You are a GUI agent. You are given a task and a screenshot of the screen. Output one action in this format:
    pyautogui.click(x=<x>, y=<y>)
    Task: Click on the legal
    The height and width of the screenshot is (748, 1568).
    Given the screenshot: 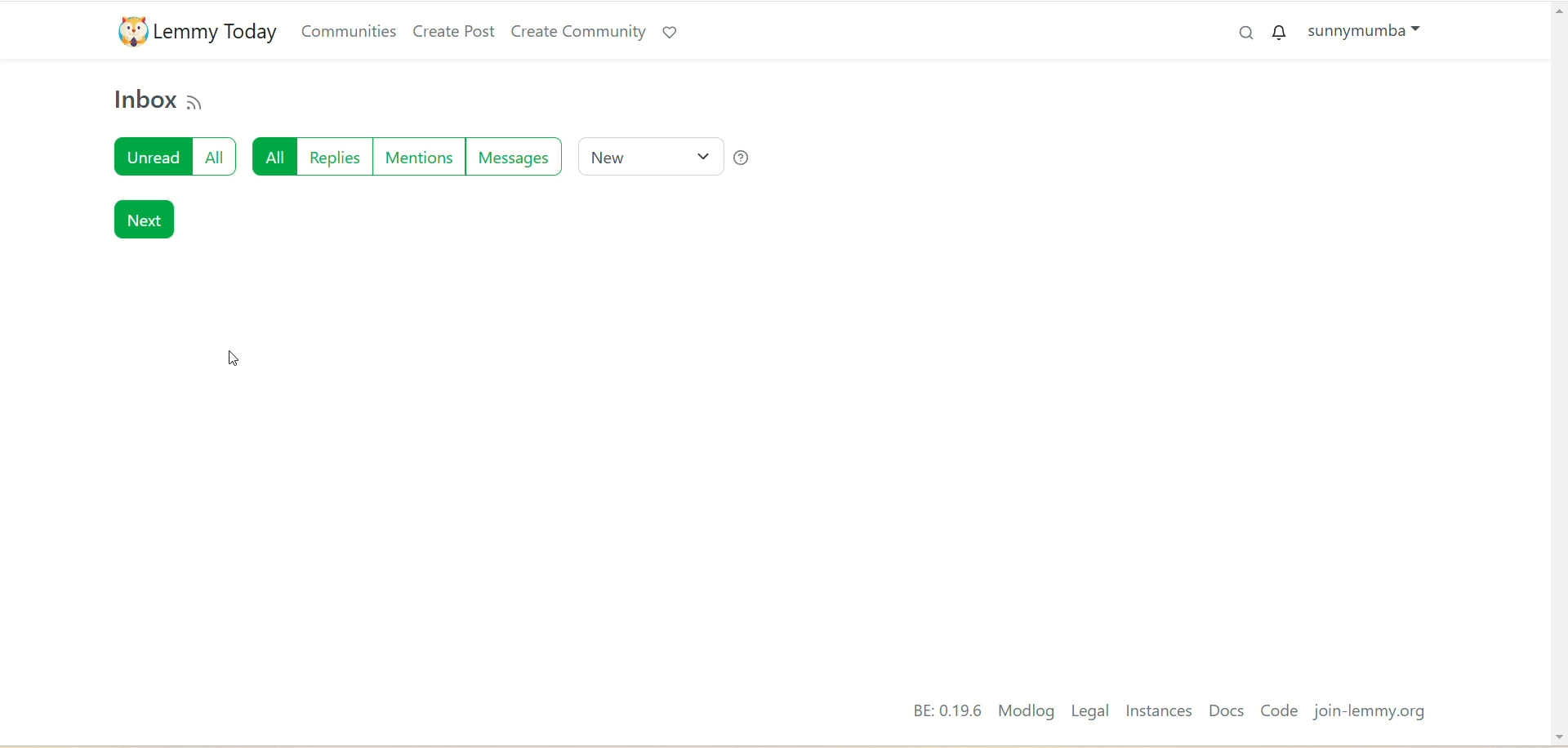 What is the action you would take?
    pyautogui.click(x=1090, y=711)
    